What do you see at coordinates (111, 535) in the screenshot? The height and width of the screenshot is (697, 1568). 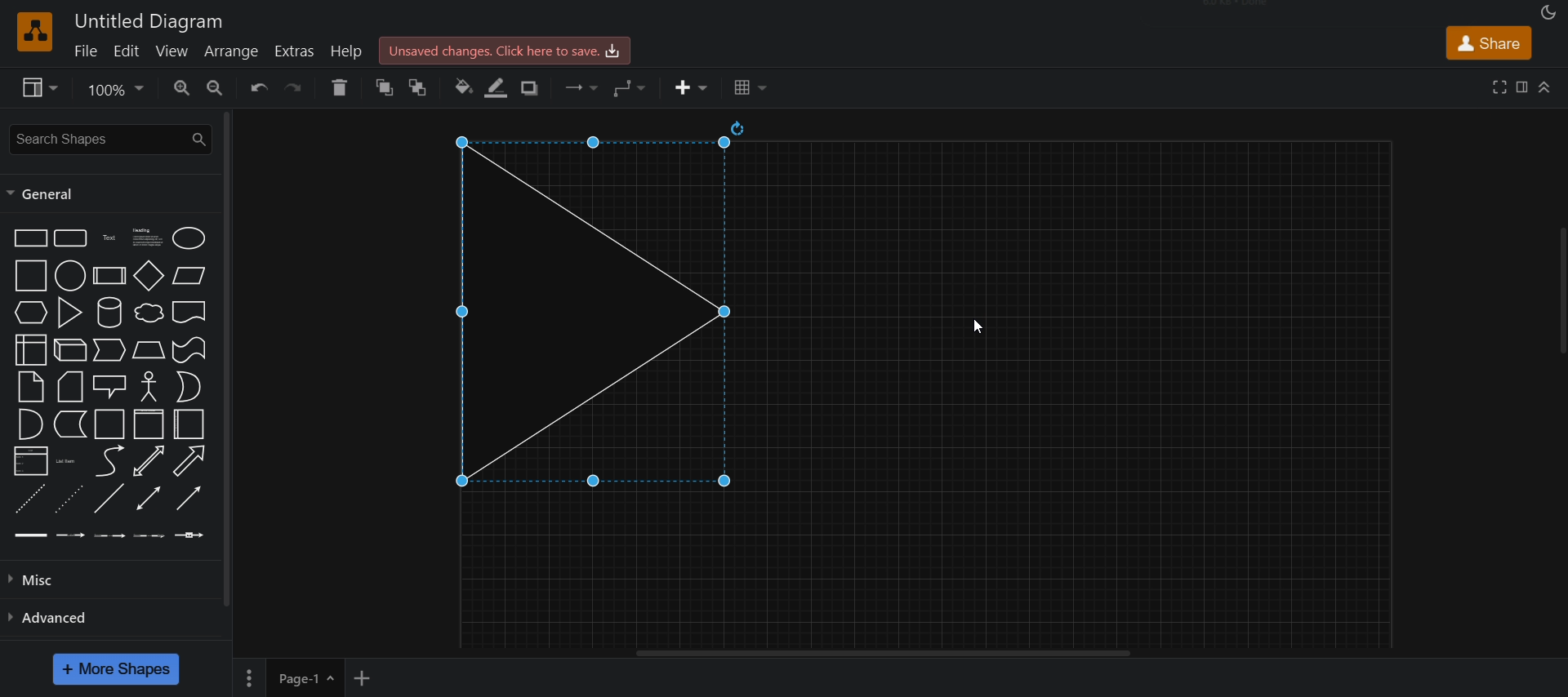 I see `connector with 2 label` at bounding box center [111, 535].